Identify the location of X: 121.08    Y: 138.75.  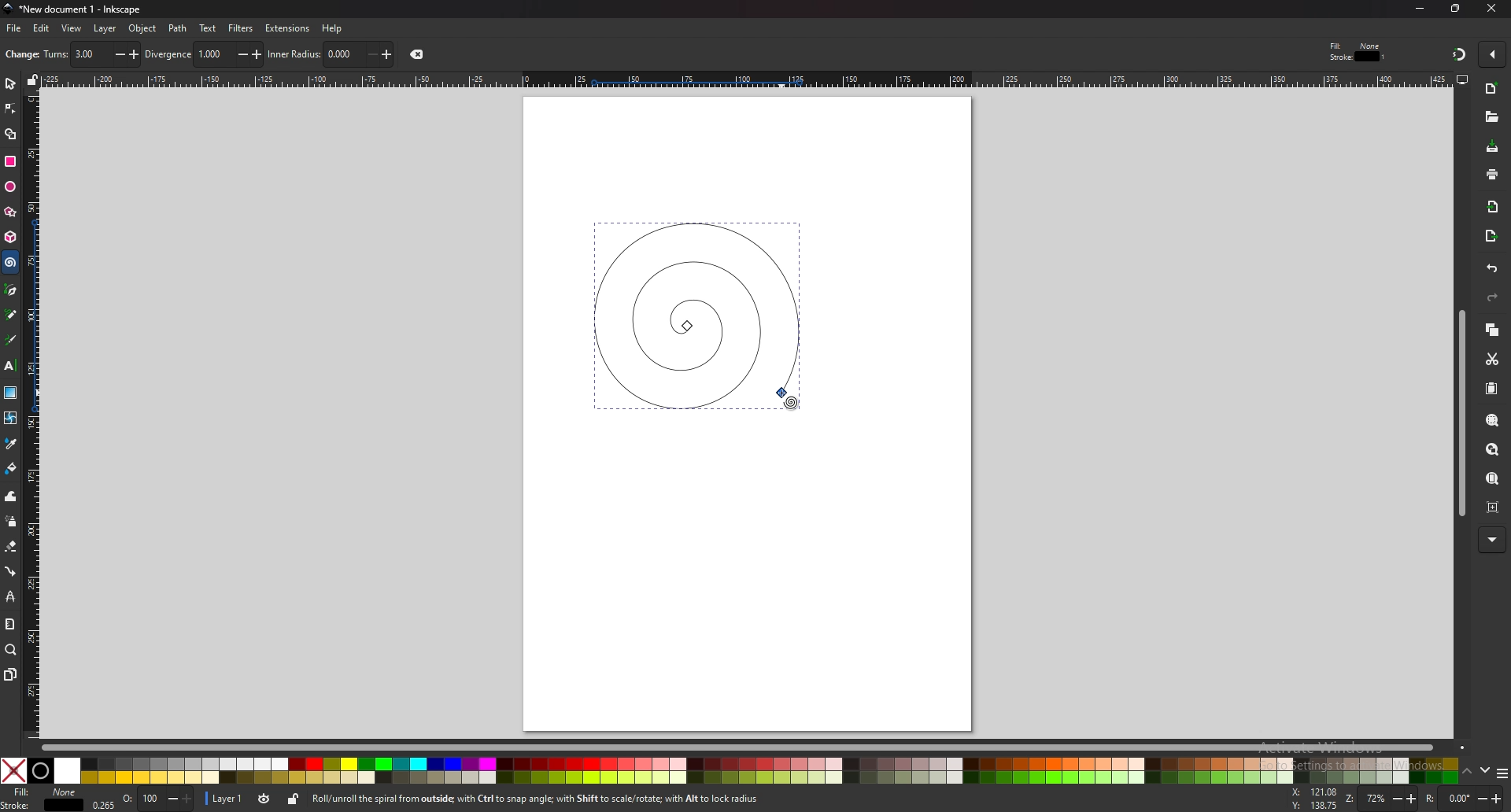
(1314, 799).